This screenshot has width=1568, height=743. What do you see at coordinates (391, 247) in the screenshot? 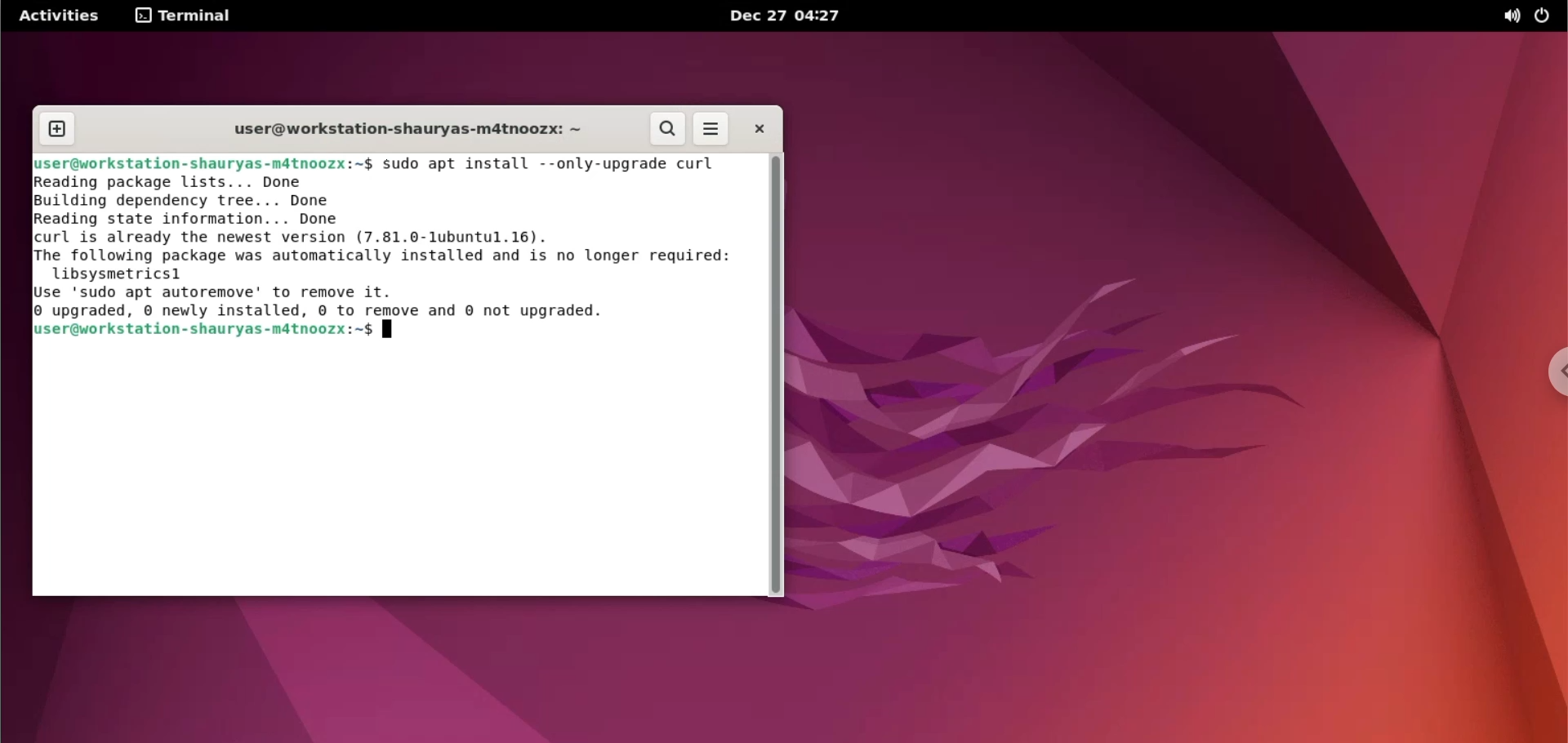
I see `upgrade information` at bounding box center [391, 247].